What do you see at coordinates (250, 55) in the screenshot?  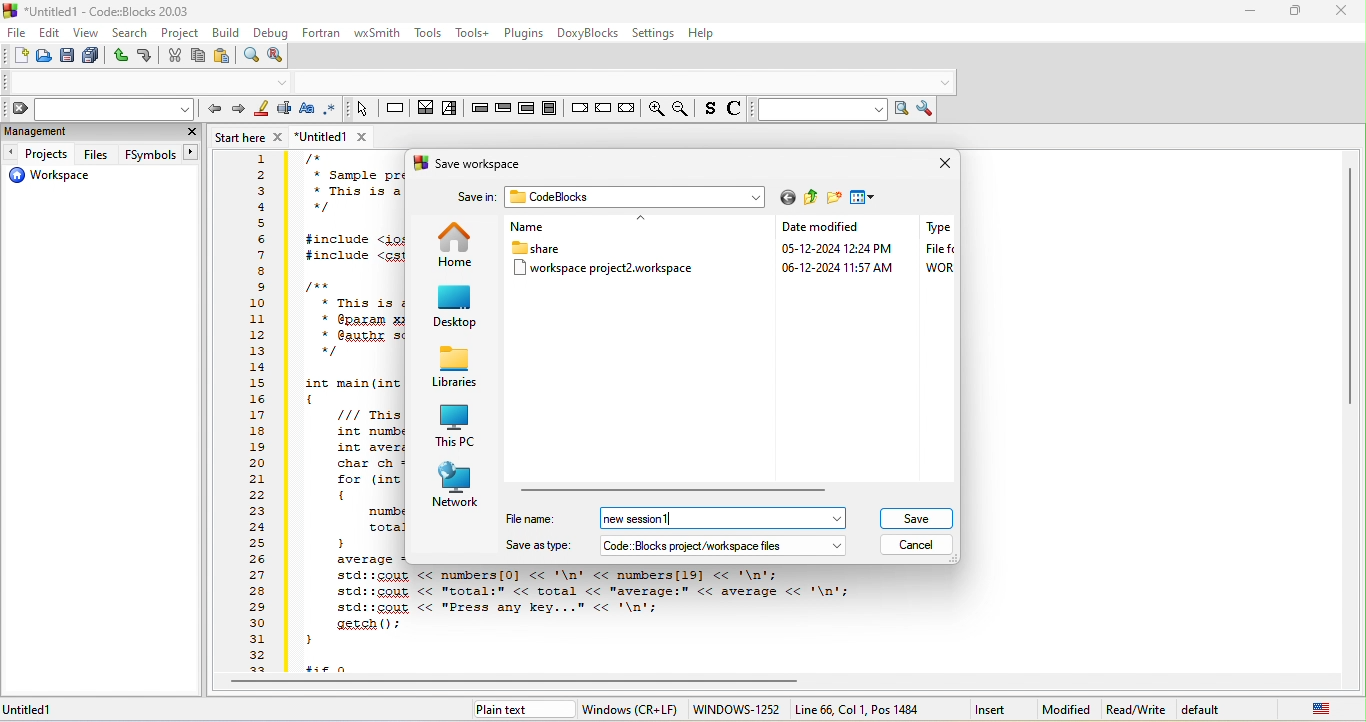 I see `find` at bounding box center [250, 55].